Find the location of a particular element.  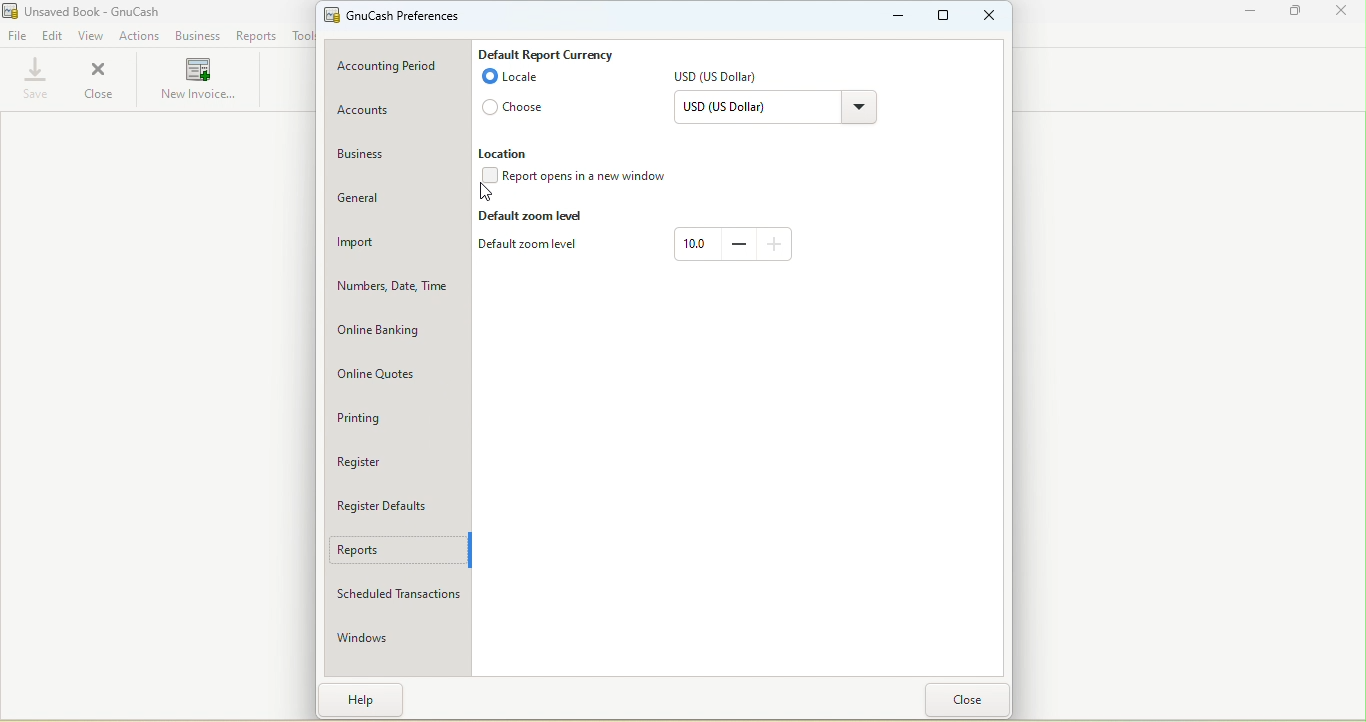

General is located at coordinates (397, 201).